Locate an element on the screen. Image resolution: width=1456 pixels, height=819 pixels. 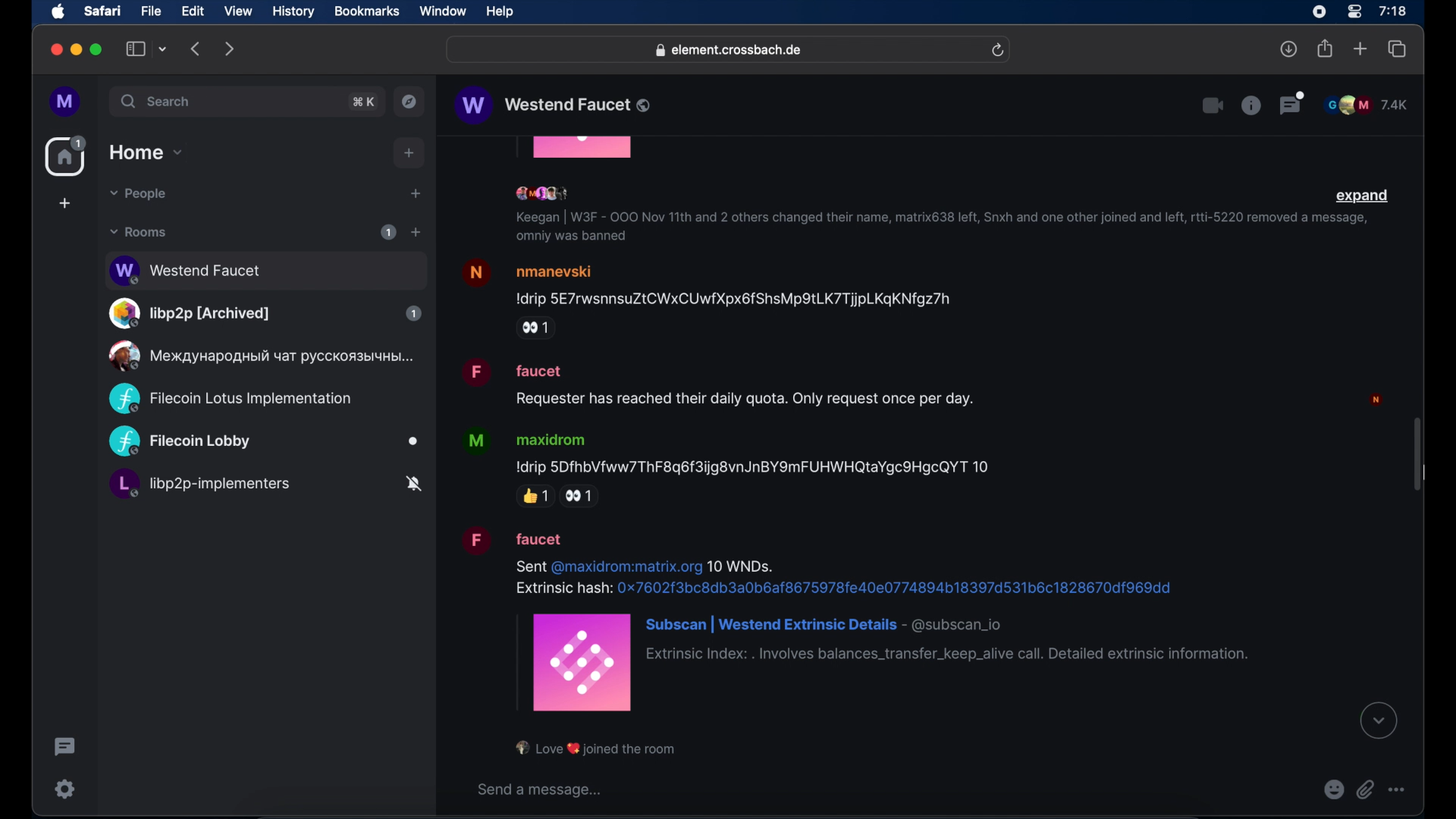
create space is located at coordinates (64, 203).